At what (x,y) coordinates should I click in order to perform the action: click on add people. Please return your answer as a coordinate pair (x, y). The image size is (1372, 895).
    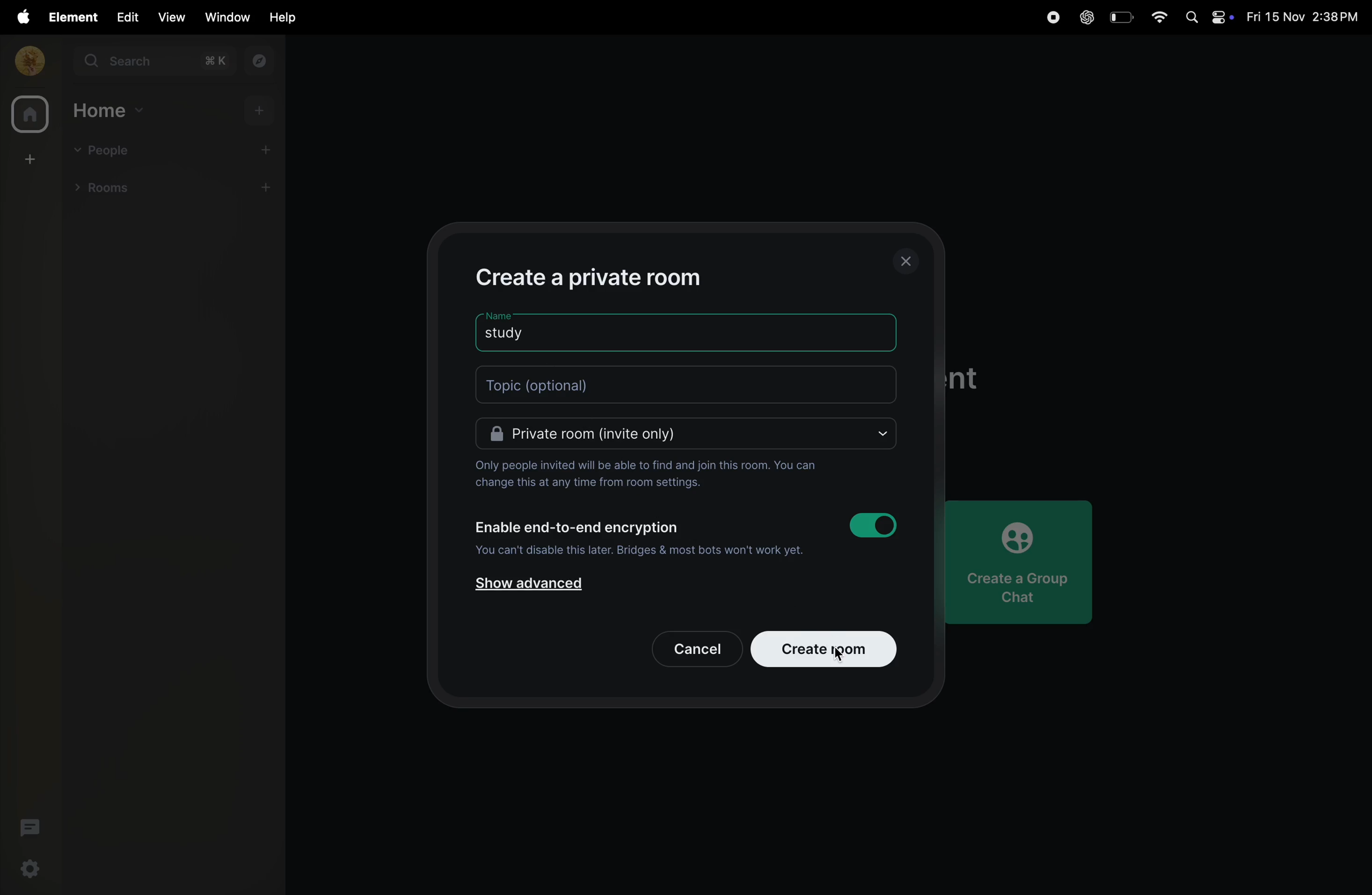
    Looking at the image, I should click on (258, 149).